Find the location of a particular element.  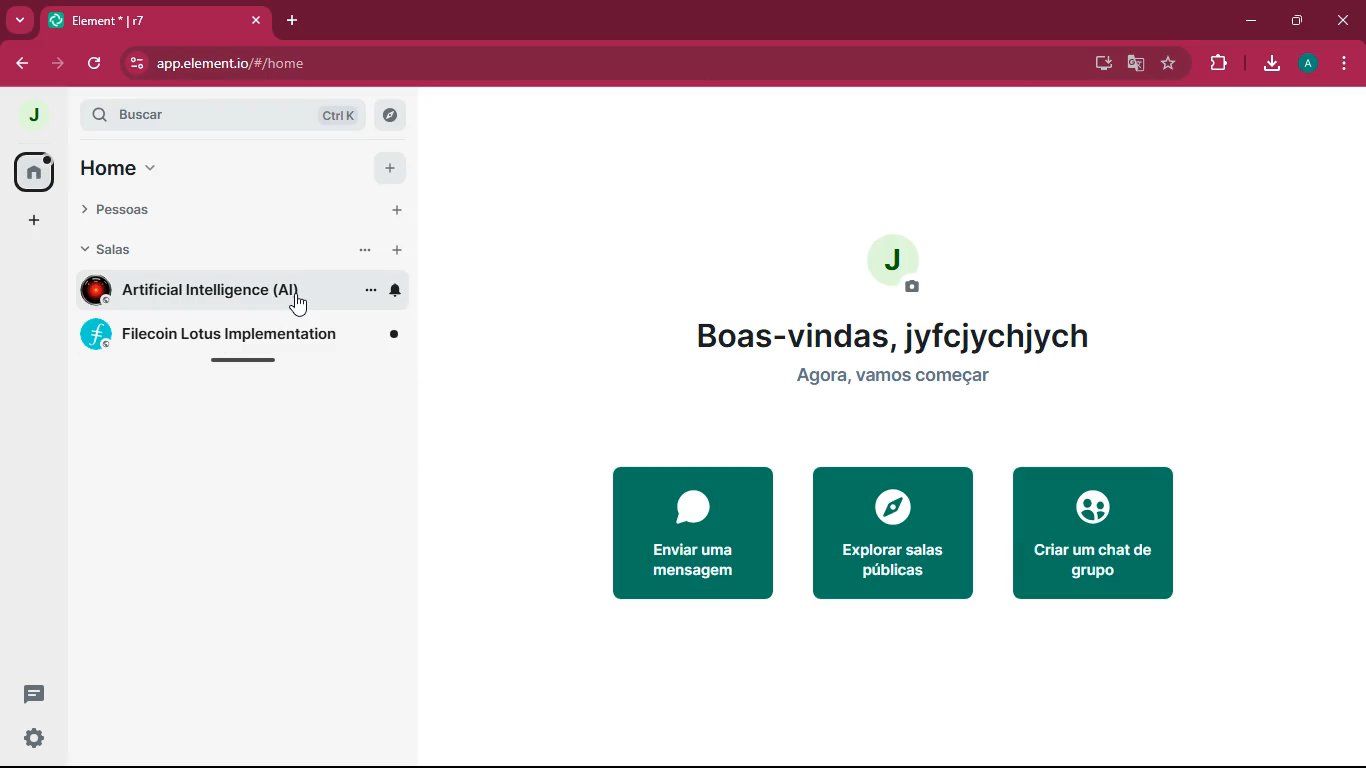

extensions is located at coordinates (1217, 63).